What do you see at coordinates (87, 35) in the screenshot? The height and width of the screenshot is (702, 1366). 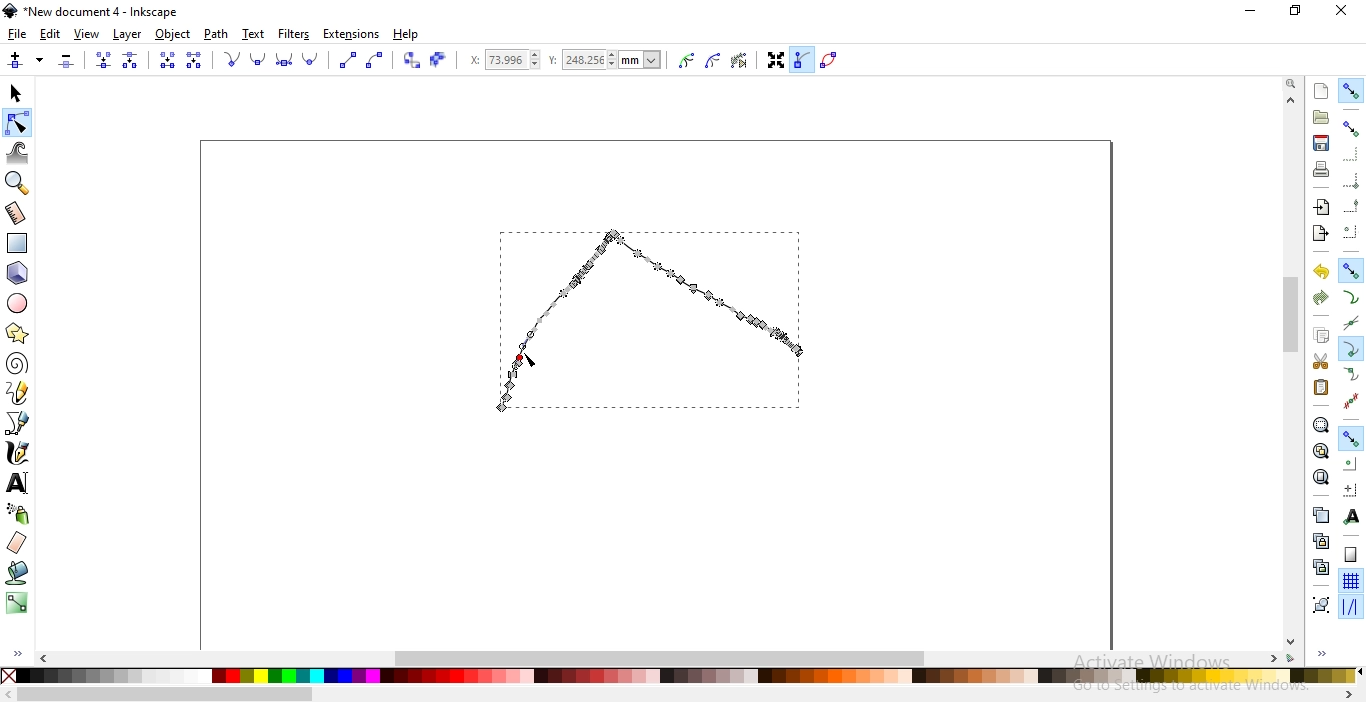 I see `view` at bounding box center [87, 35].